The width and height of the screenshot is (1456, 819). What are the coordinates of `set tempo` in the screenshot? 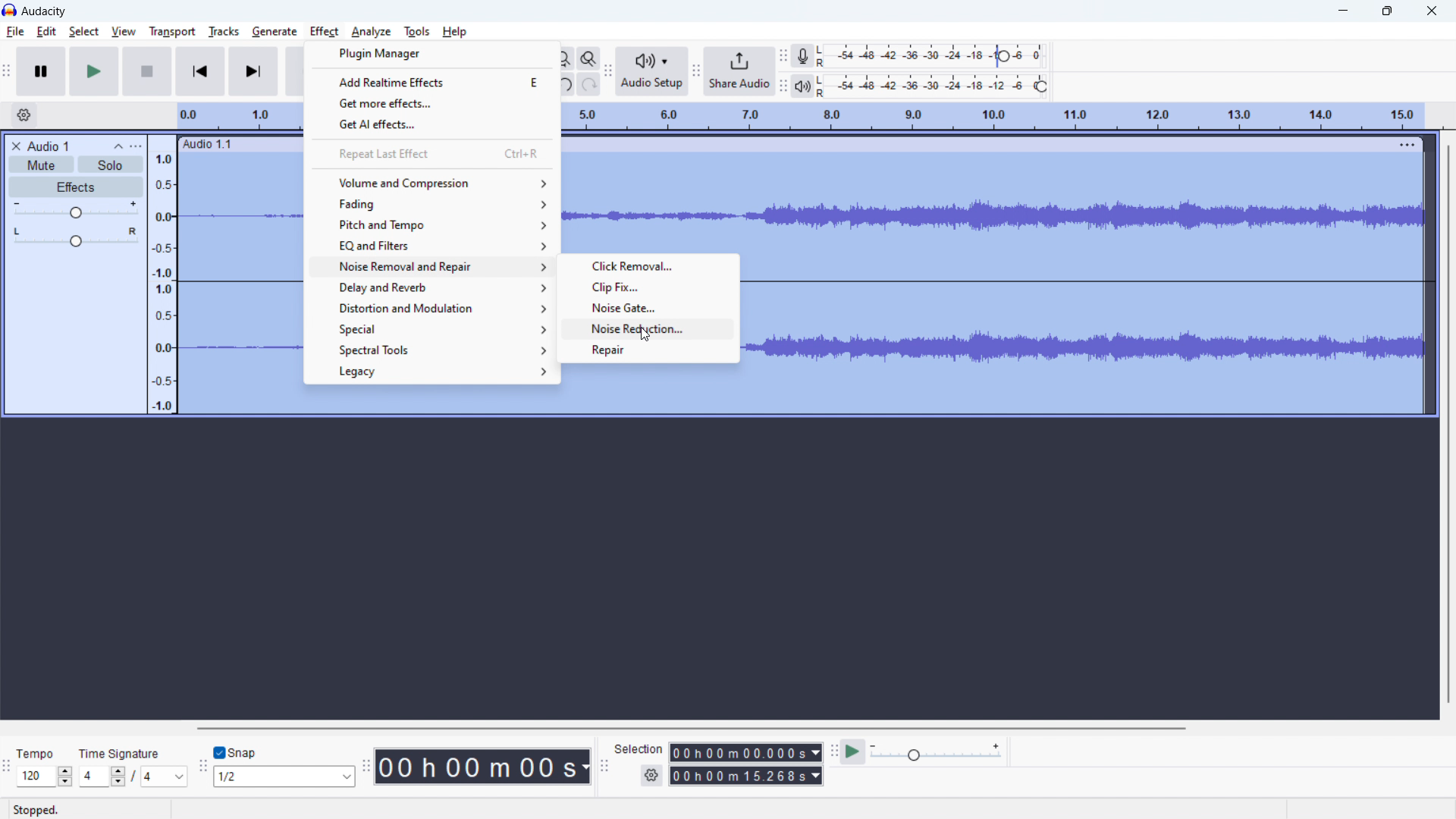 It's located at (45, 766).